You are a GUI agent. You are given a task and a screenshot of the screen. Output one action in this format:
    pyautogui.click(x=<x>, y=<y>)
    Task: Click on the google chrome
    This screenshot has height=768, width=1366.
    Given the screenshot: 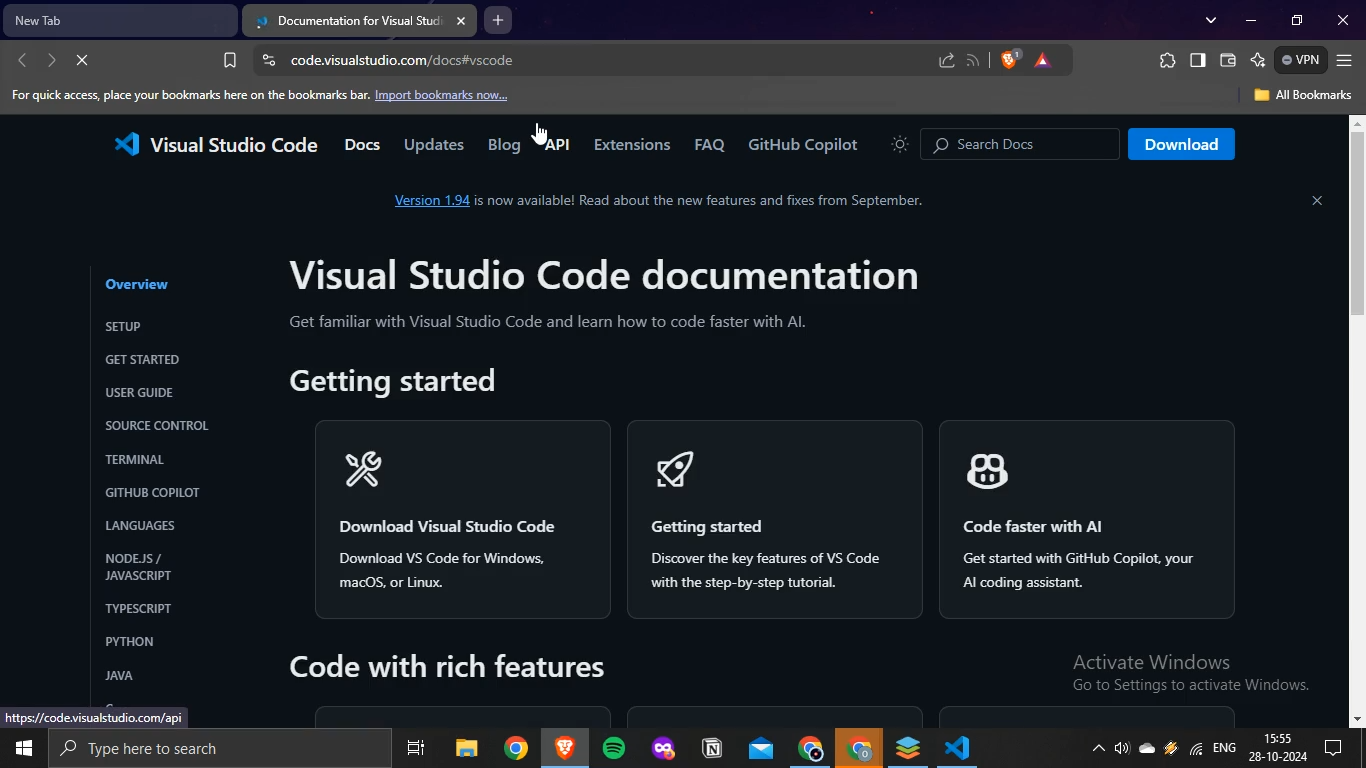 What is the action you would take?
    pyautogui.click(x=859, y=749)
    